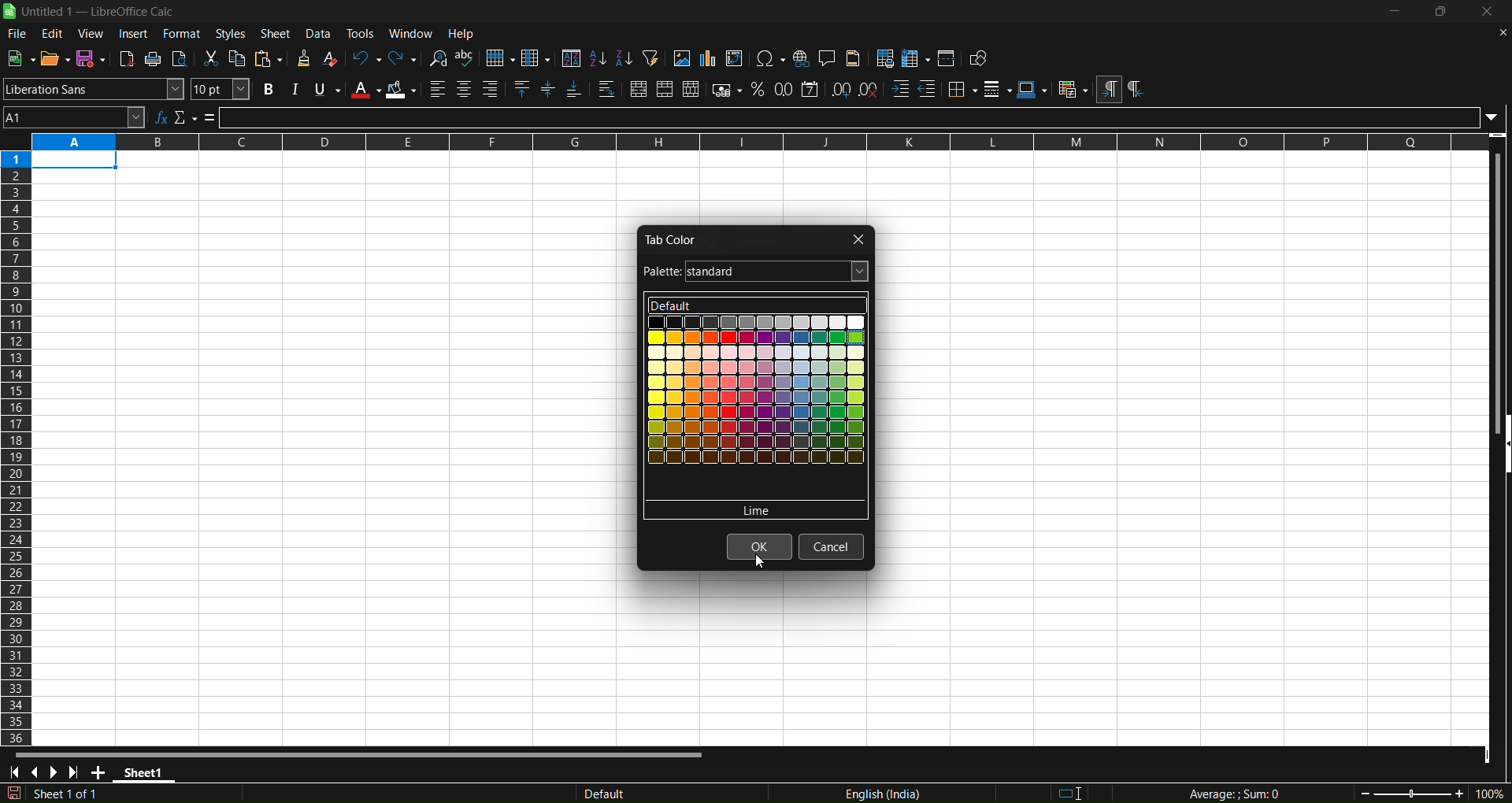 The image size is (1512, 803). I want to click on format, so click(182, 33).